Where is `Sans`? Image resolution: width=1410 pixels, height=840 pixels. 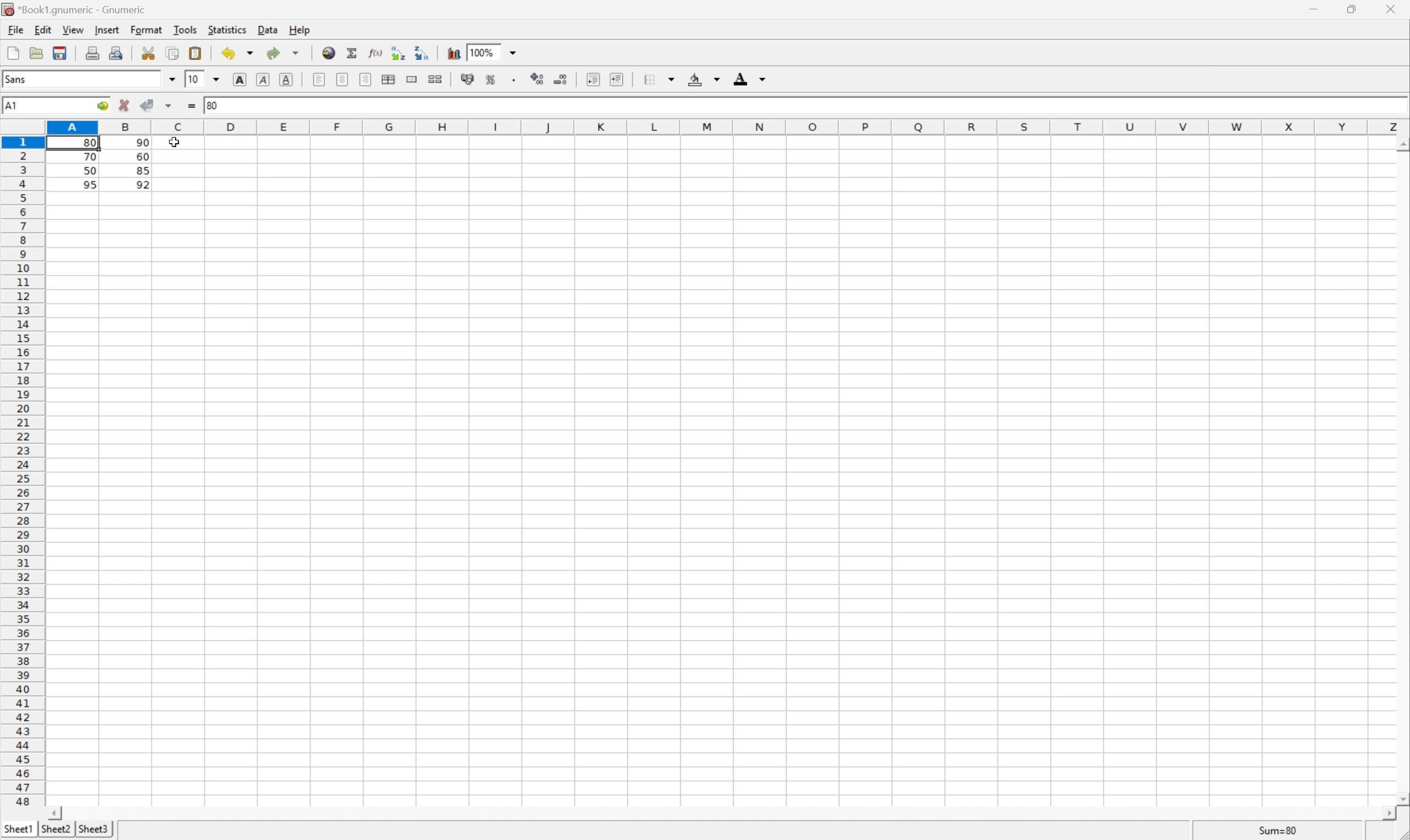 Sans is located at coordinates (17, 78).